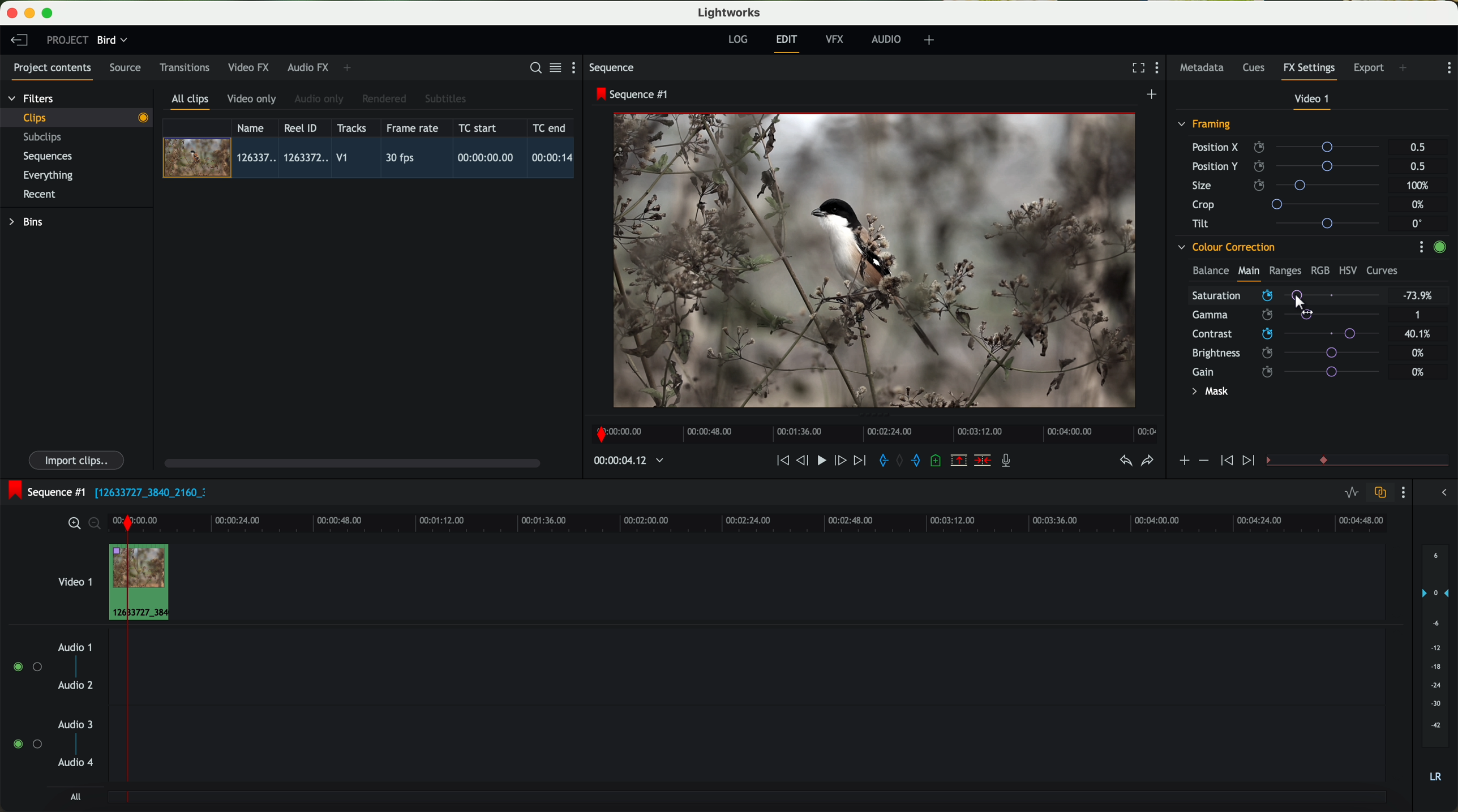 The width and height of the screenshot is (1458, 812). What do you see at coordinates (112, 41) in the screenshot?
I see `bird` at bounding box center [112, 41].